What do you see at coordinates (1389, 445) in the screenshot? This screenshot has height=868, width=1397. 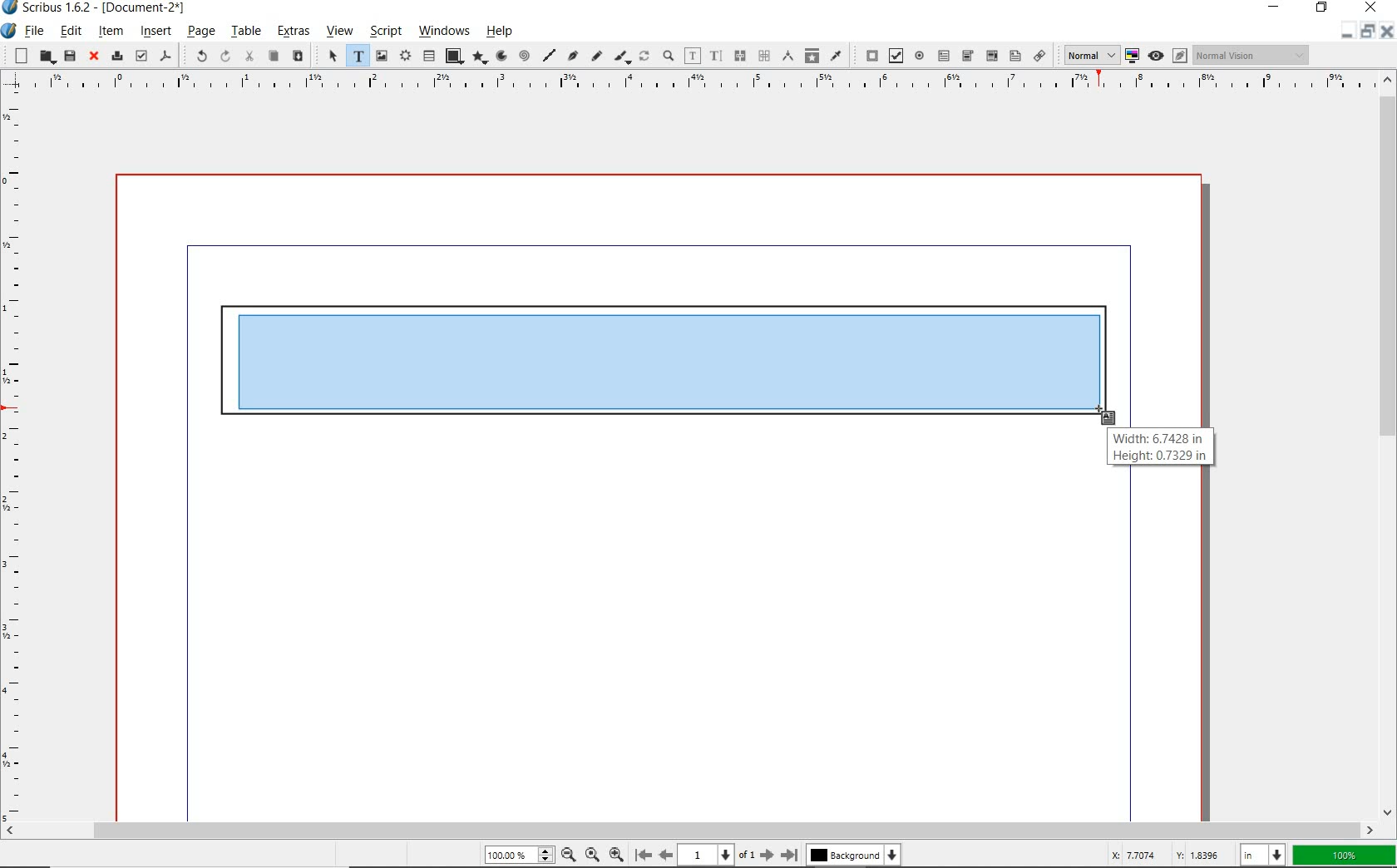 I see `scrollbar` at bounding box center [1389, 445].